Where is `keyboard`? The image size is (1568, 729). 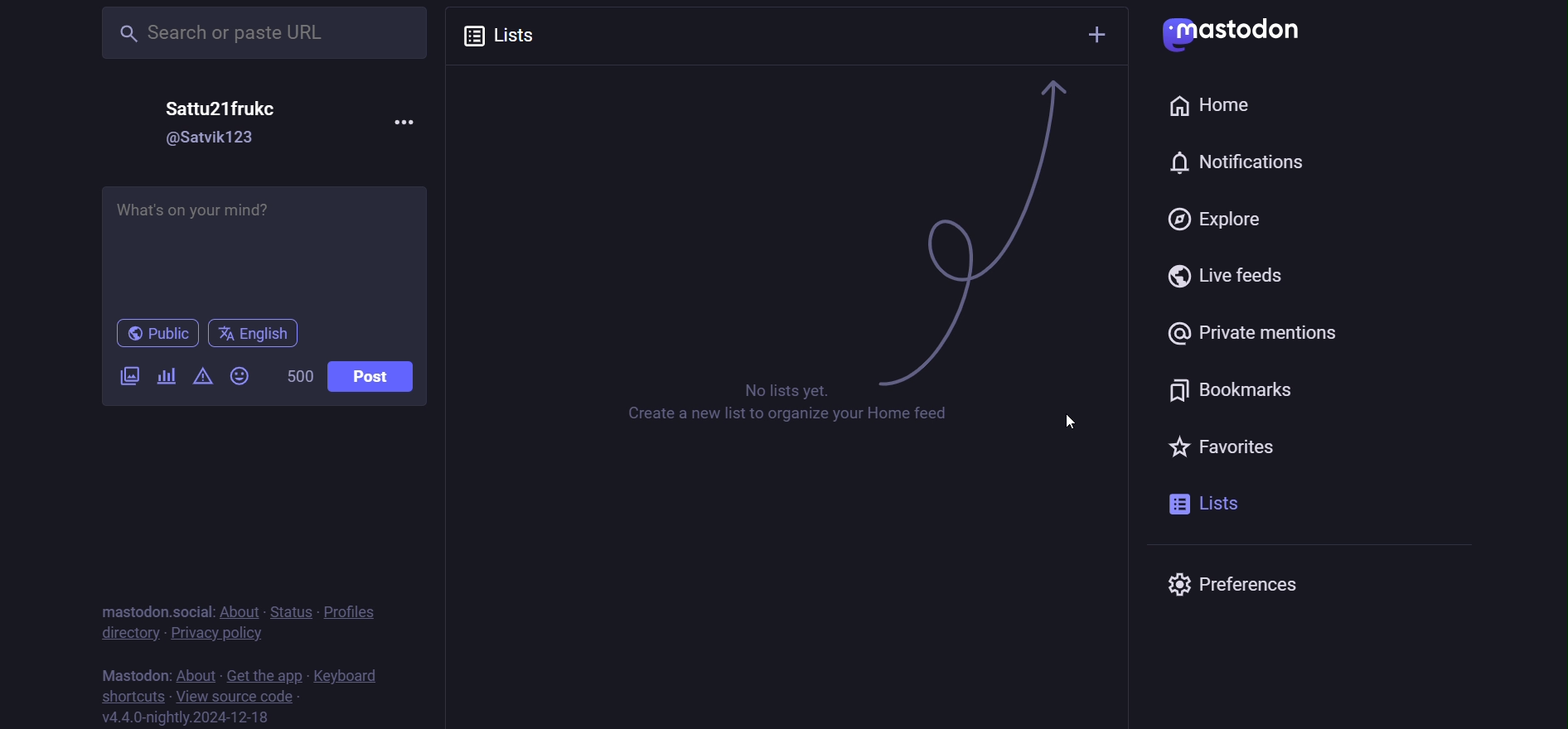
keyboard is located at coordinates (356, 673).